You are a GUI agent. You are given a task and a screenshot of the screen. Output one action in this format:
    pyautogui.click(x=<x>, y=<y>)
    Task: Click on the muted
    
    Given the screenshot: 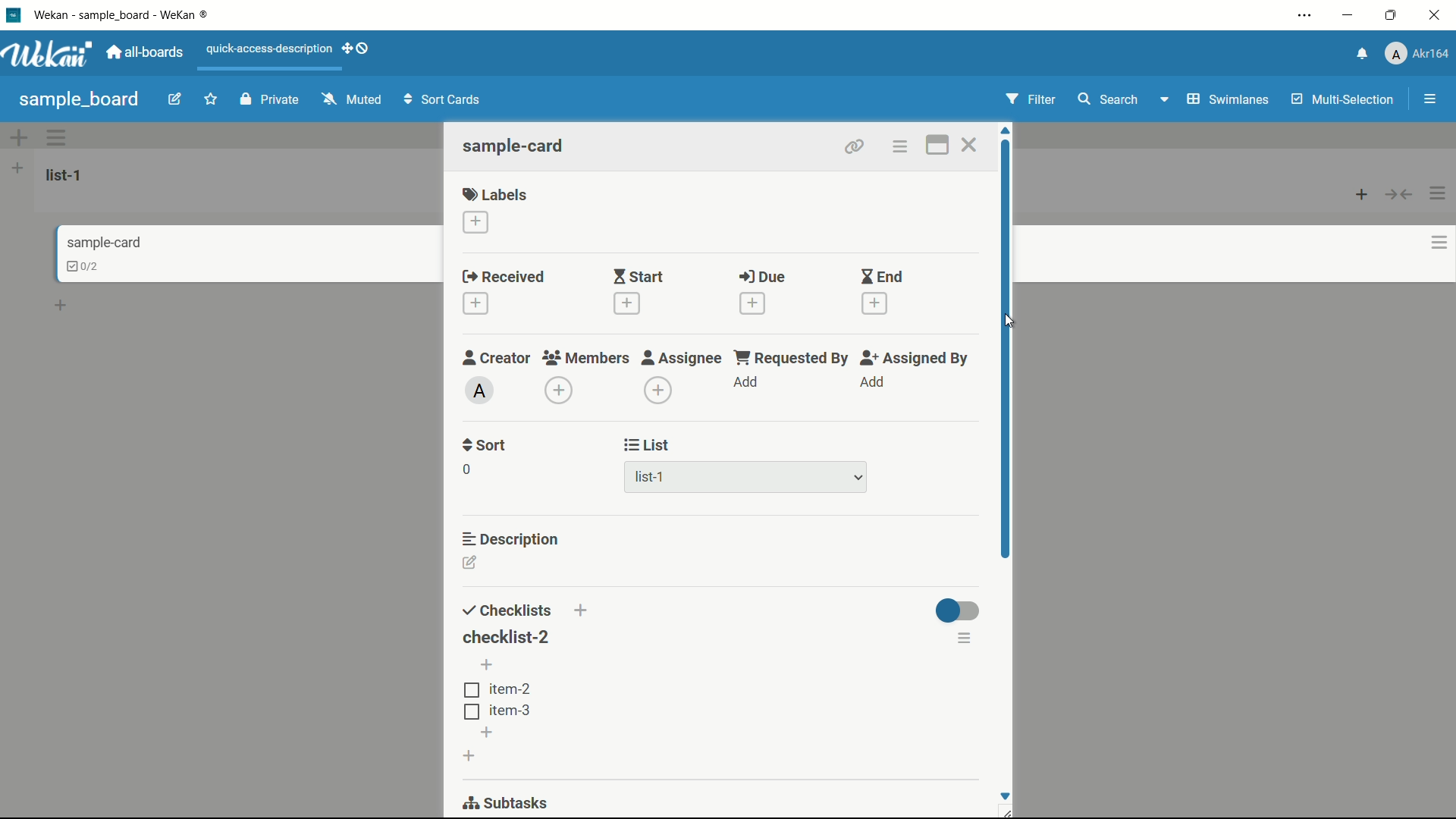 What is the action you would take?
    pyautogui.click(x=350, y=100)
    